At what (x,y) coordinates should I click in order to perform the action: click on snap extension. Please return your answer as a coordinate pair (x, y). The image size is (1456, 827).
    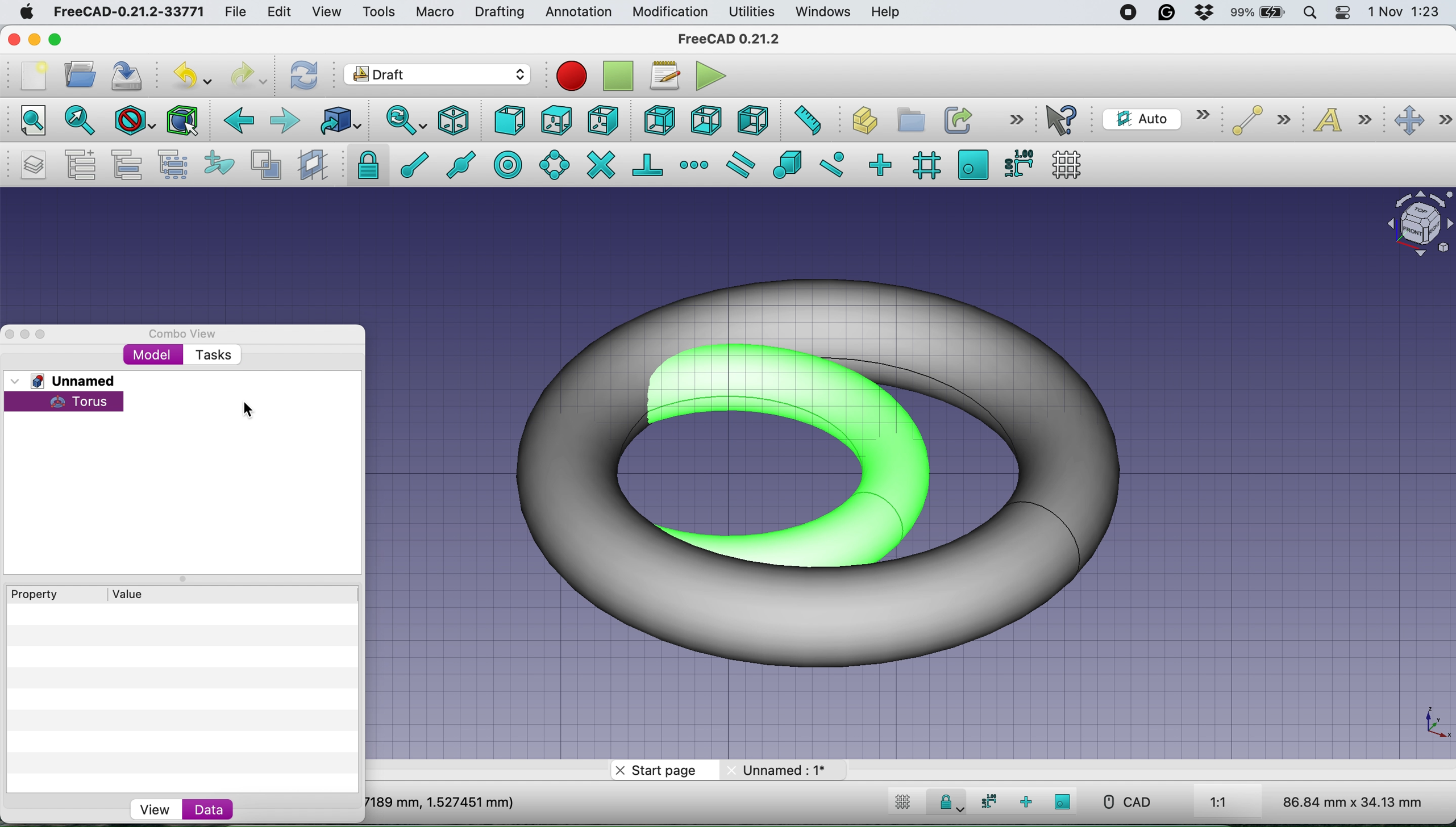
    Looking at the image, I should click on (694, 164).